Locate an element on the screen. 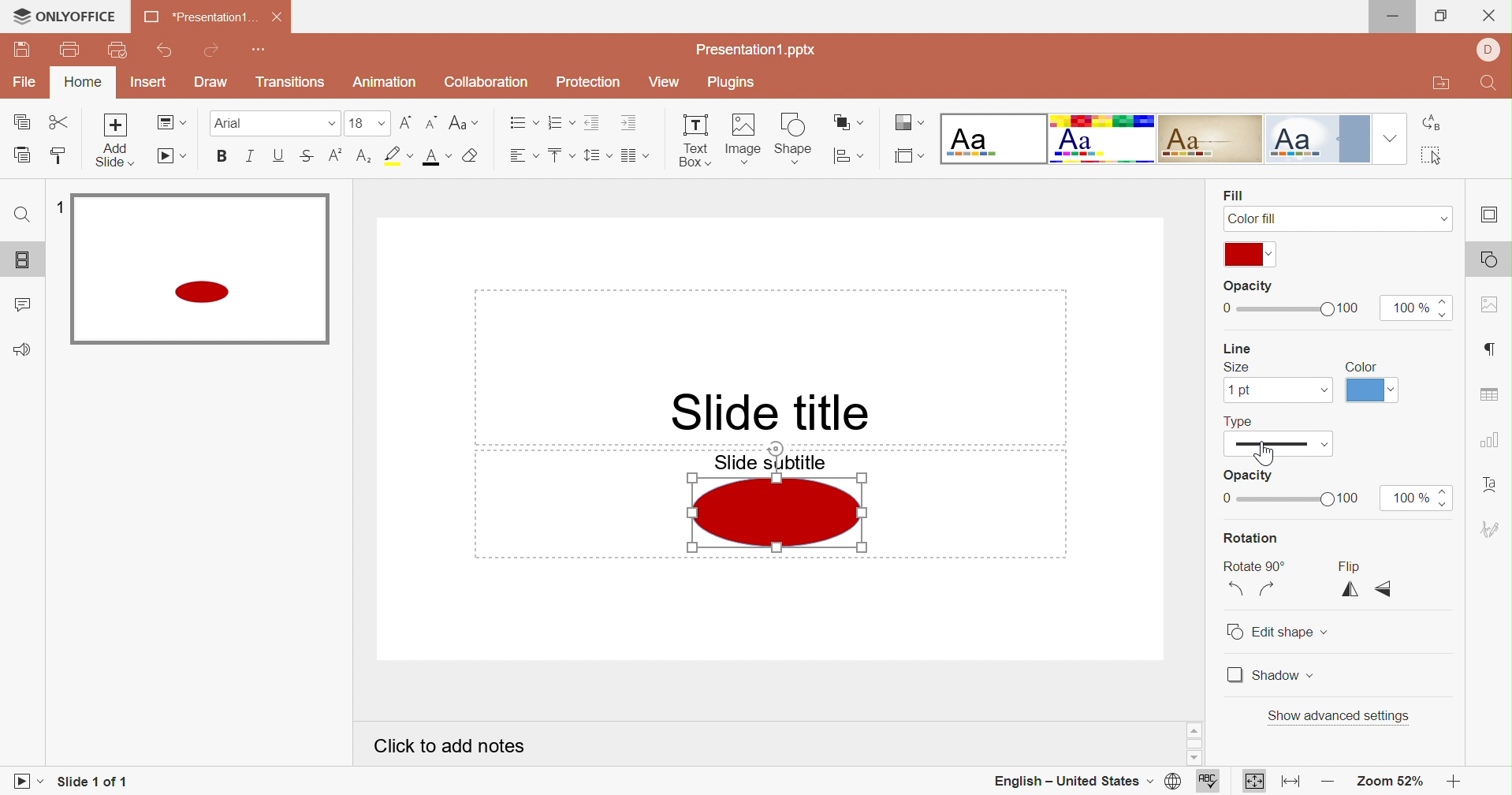  English - United States is located at coordinates (1069, 781).